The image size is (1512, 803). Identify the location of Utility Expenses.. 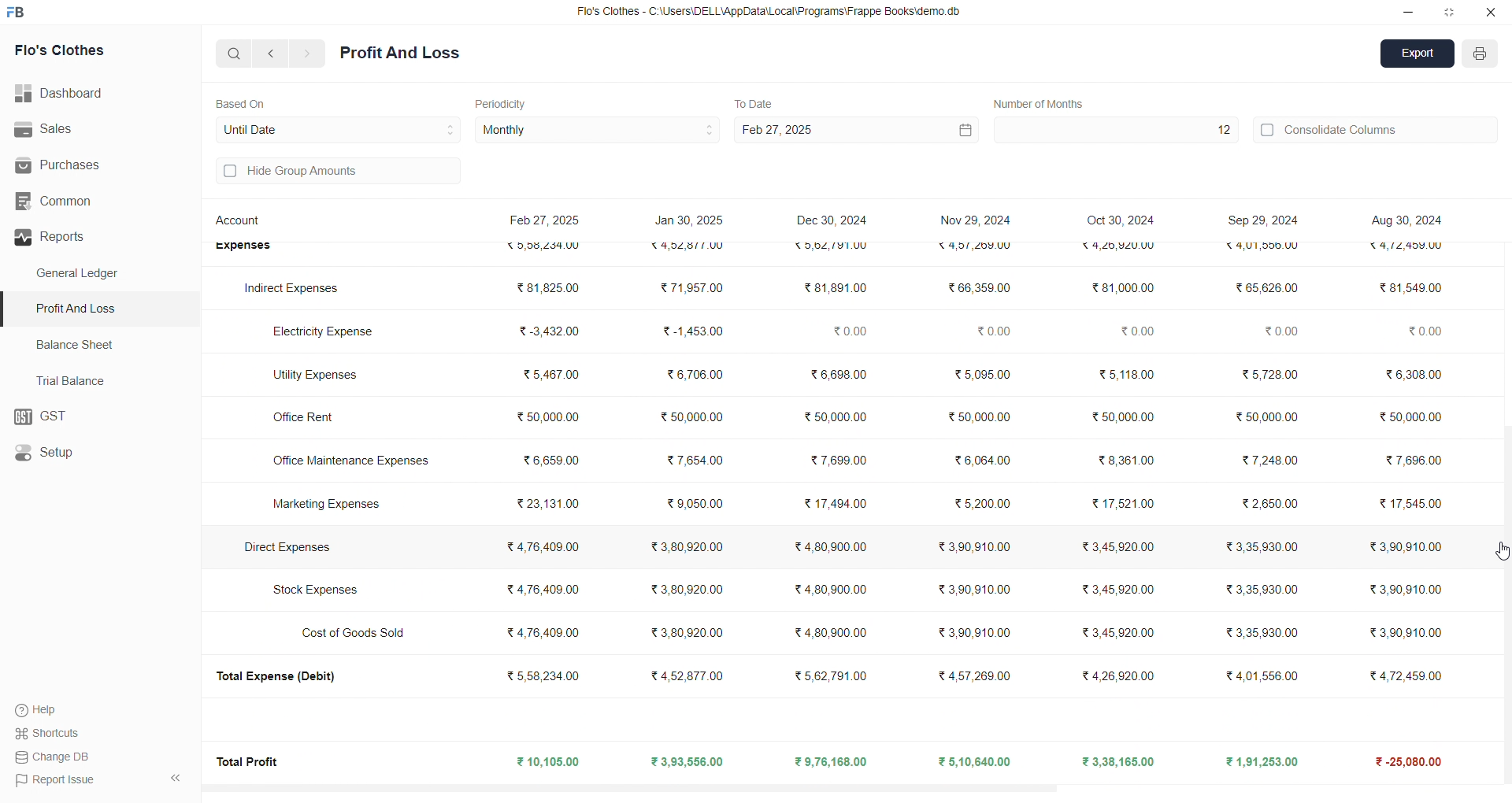
(315, 375).